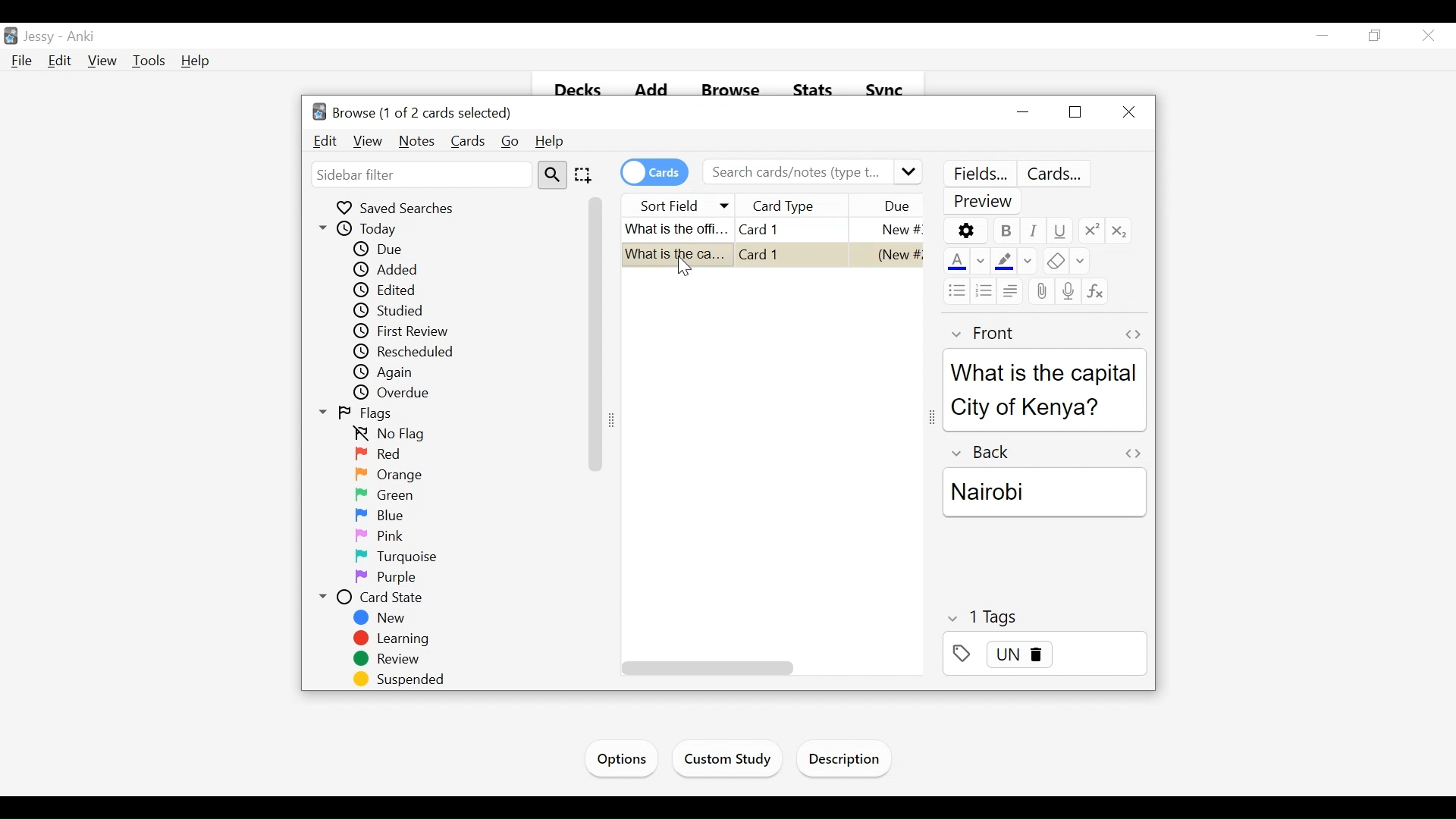  Describe the element at coordinates (741, 758) in the screenshot. I see `Create Deck` at that location.